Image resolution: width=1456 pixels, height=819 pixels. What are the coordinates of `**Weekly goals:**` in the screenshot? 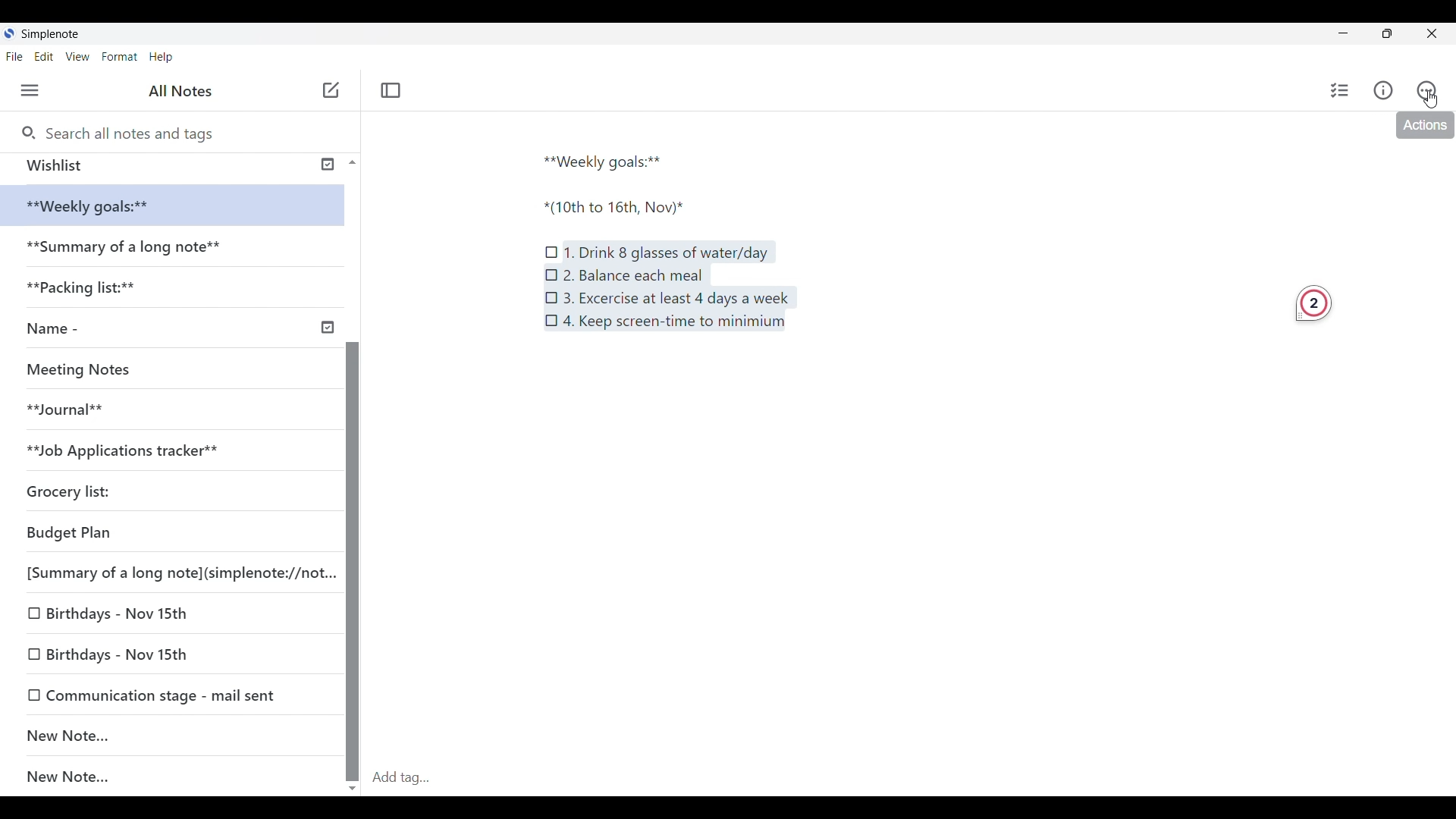 It's located at (99, 206).